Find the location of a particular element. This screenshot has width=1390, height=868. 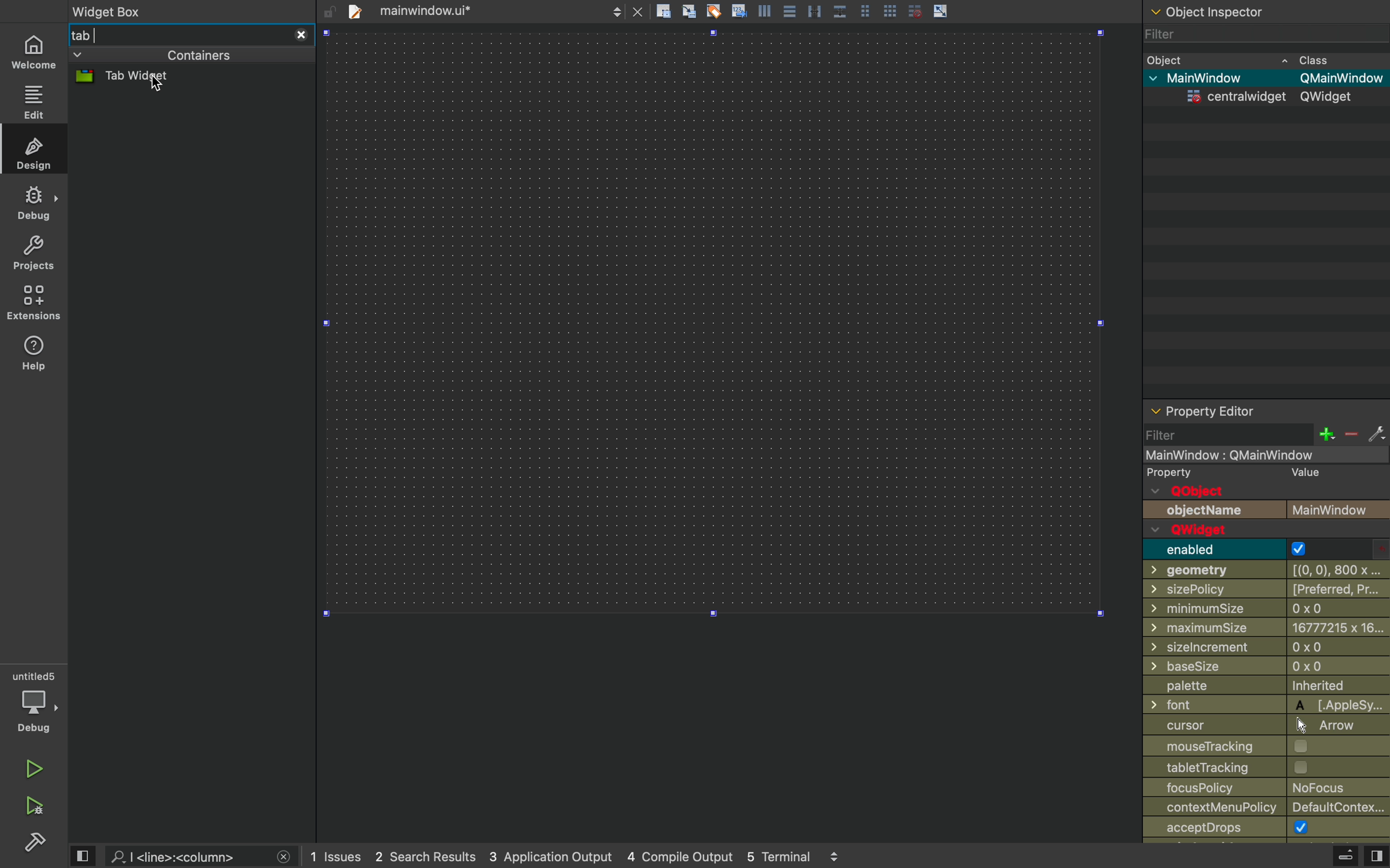

object class is located at coordinates (1260, 59).